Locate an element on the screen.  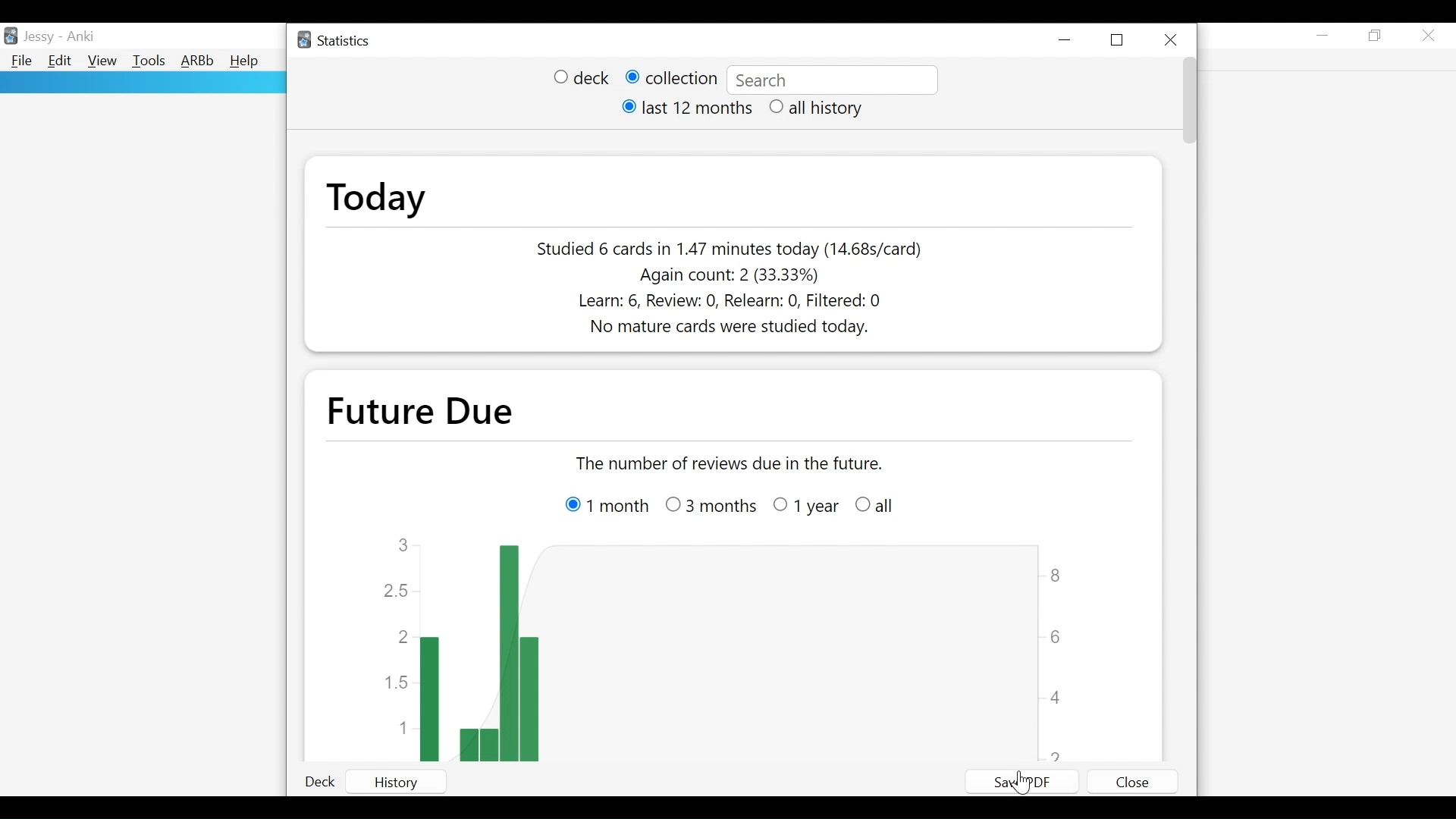
(un)select last 12 months is located at coordinates (685, 109).